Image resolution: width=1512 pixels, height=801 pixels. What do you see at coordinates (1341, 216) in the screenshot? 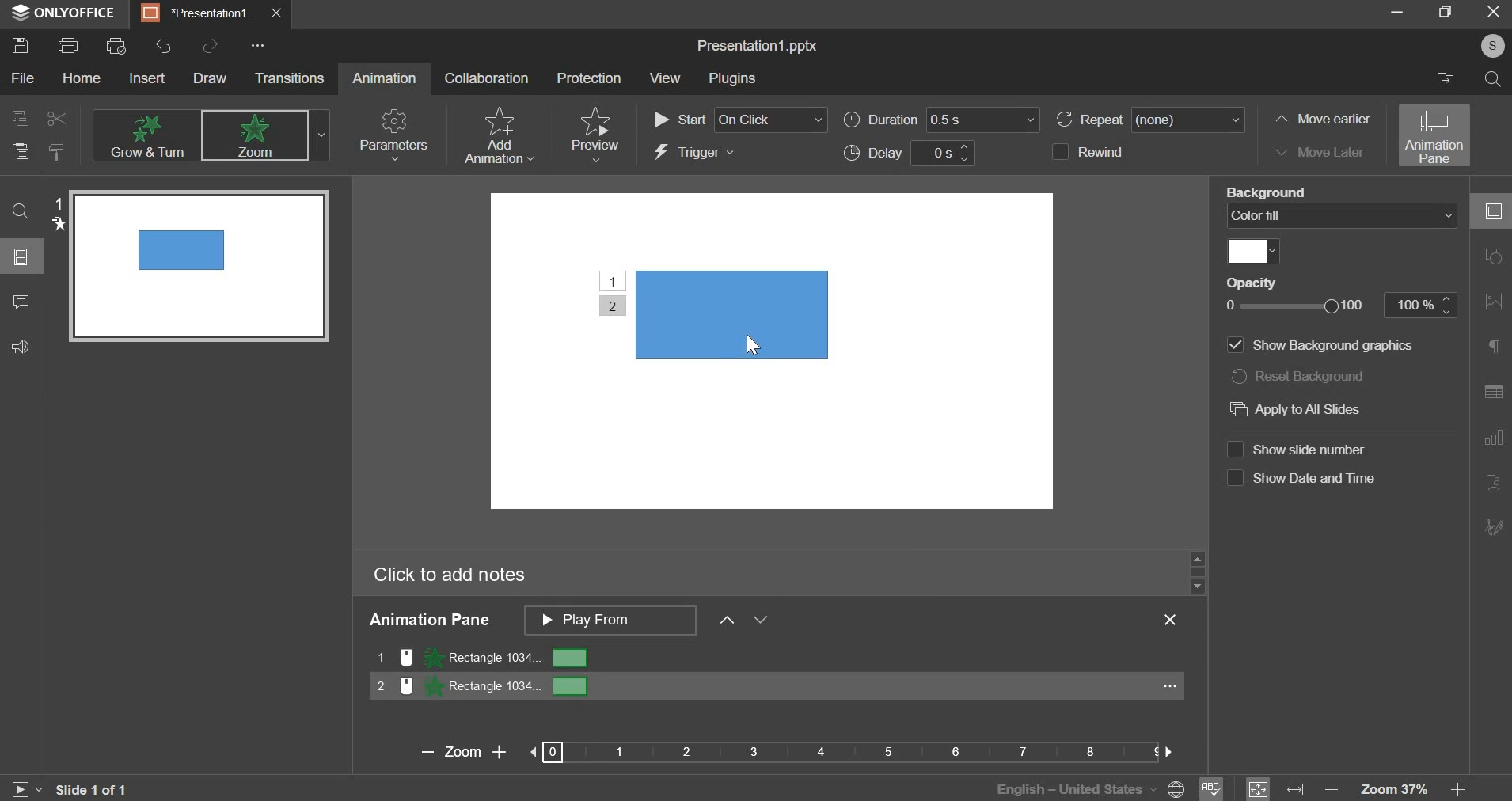
I see `color fill` at bounding box center [1341, 216].